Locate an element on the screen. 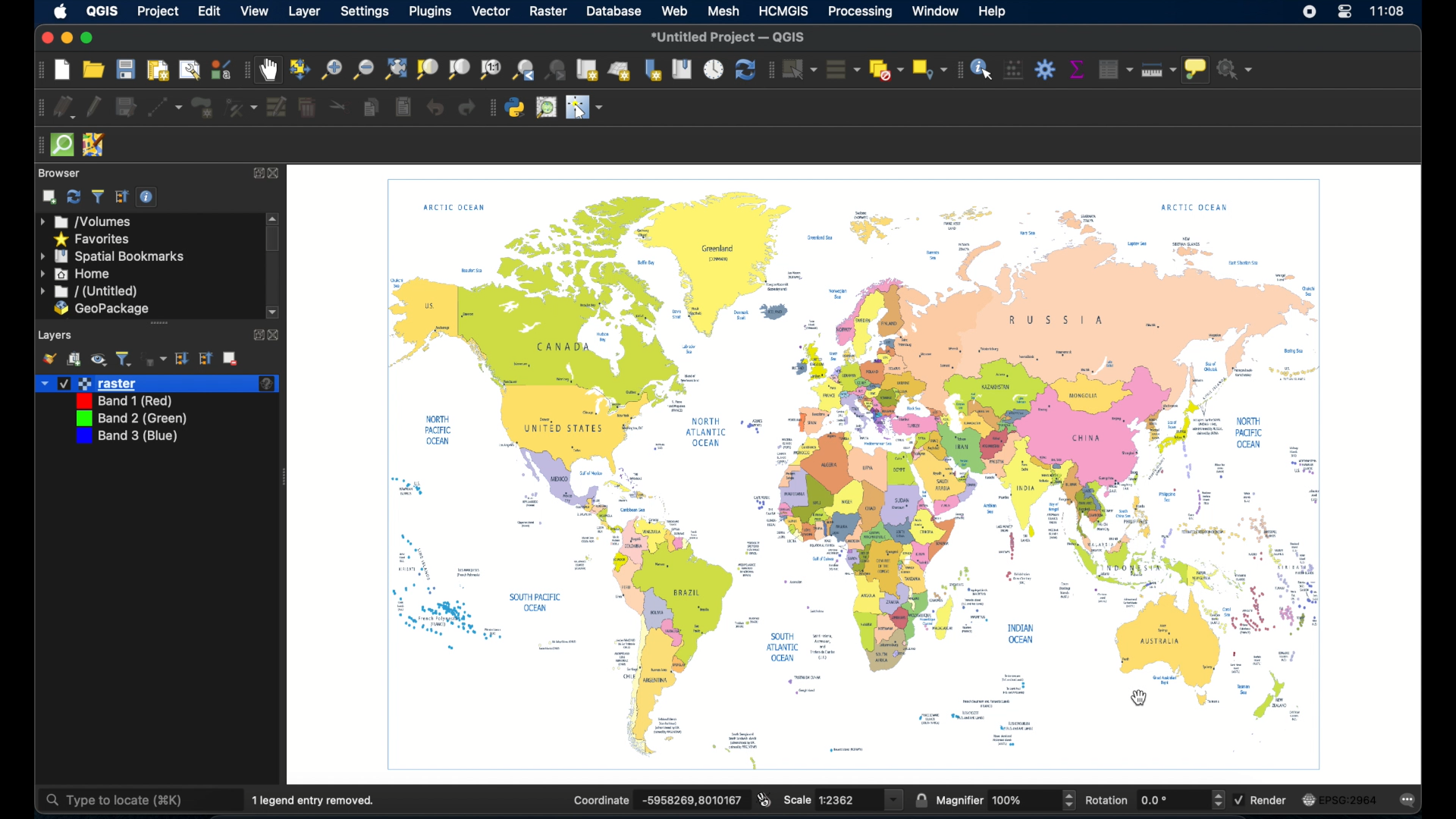 This screenshot has height=819, width=1456. copy features is located at coordinates (370, 108).